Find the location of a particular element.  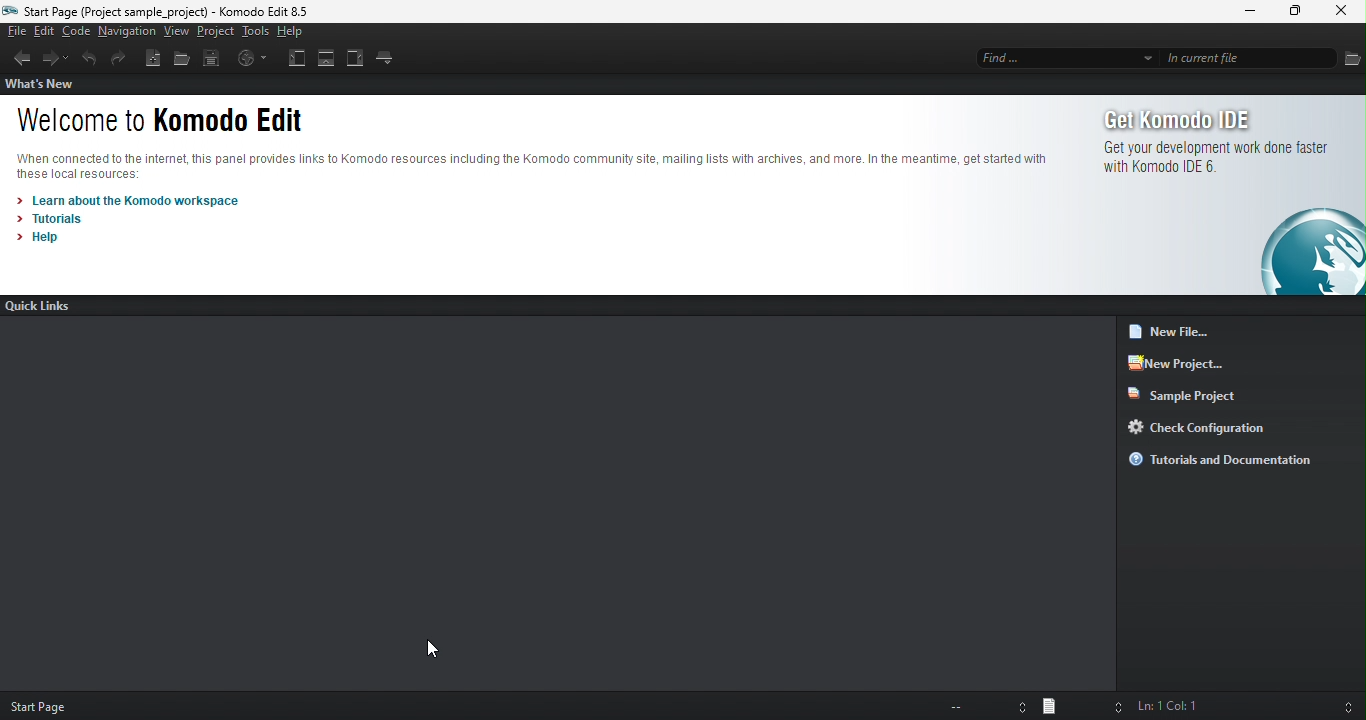

tools is located at coordinates (256, 31).